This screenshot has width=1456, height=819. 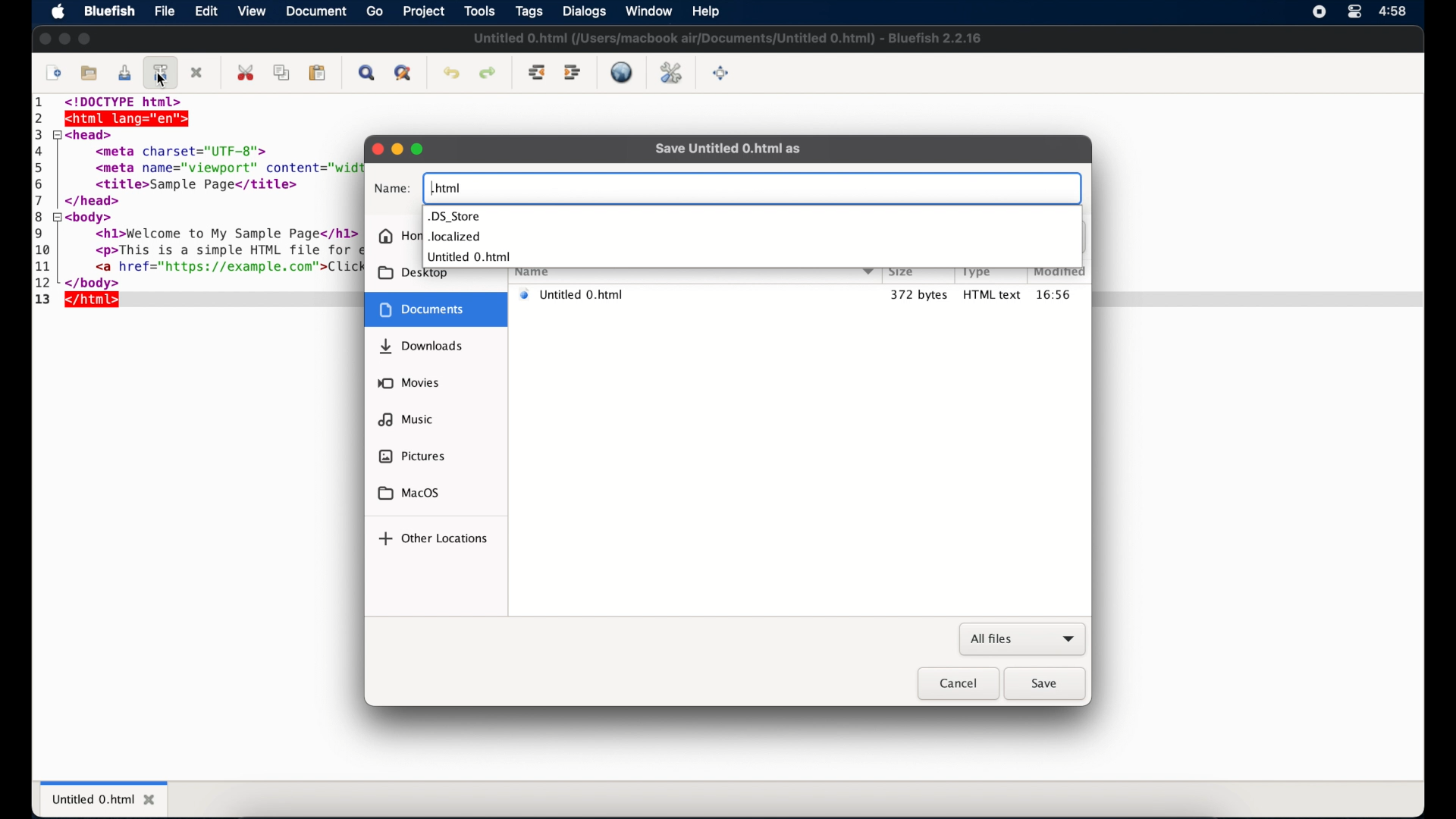 What do you see at coordinates (1354, 12) in the screenshot?
I see `control center` at bounding box center [1354, 12].